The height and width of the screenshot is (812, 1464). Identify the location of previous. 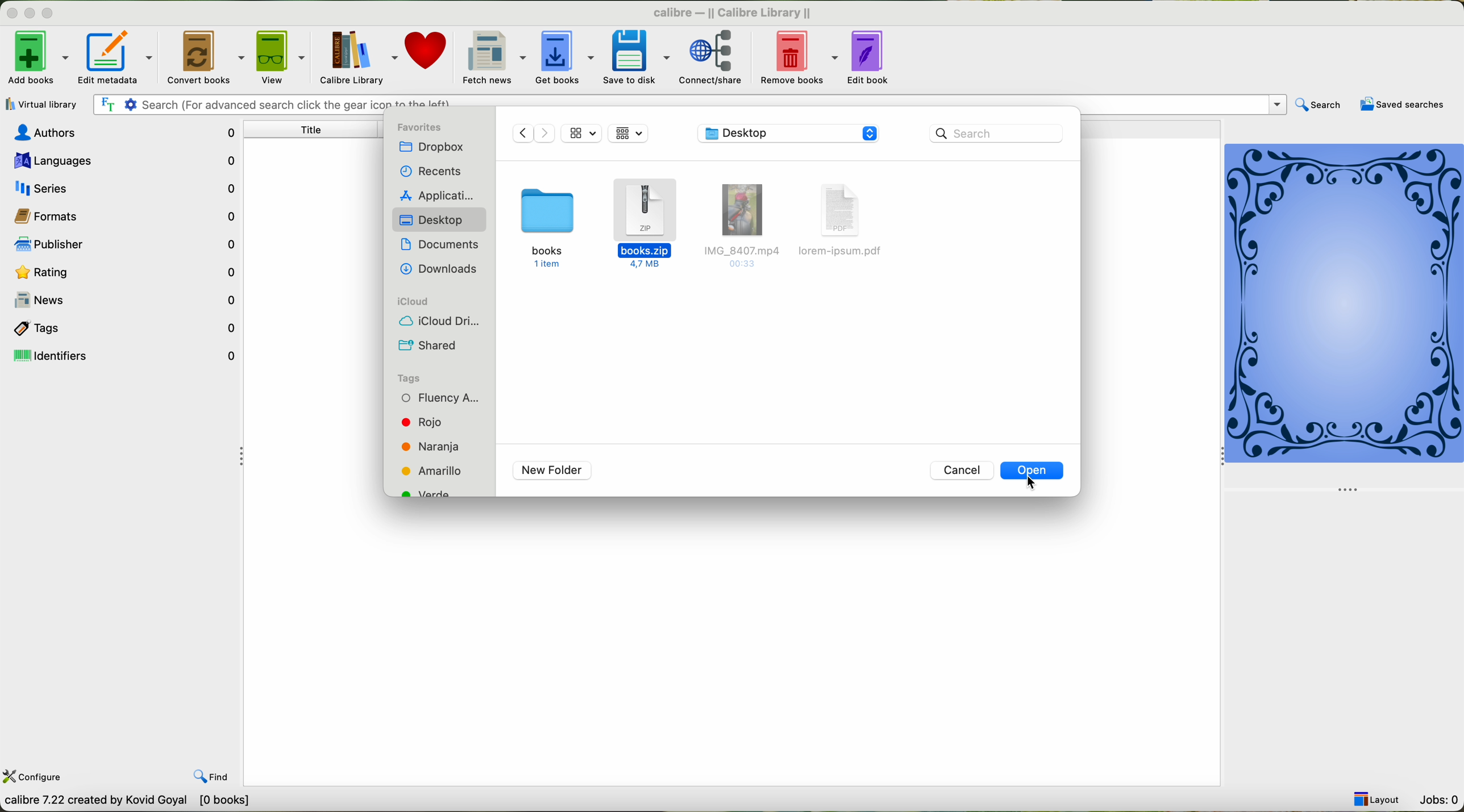
(519, 133).